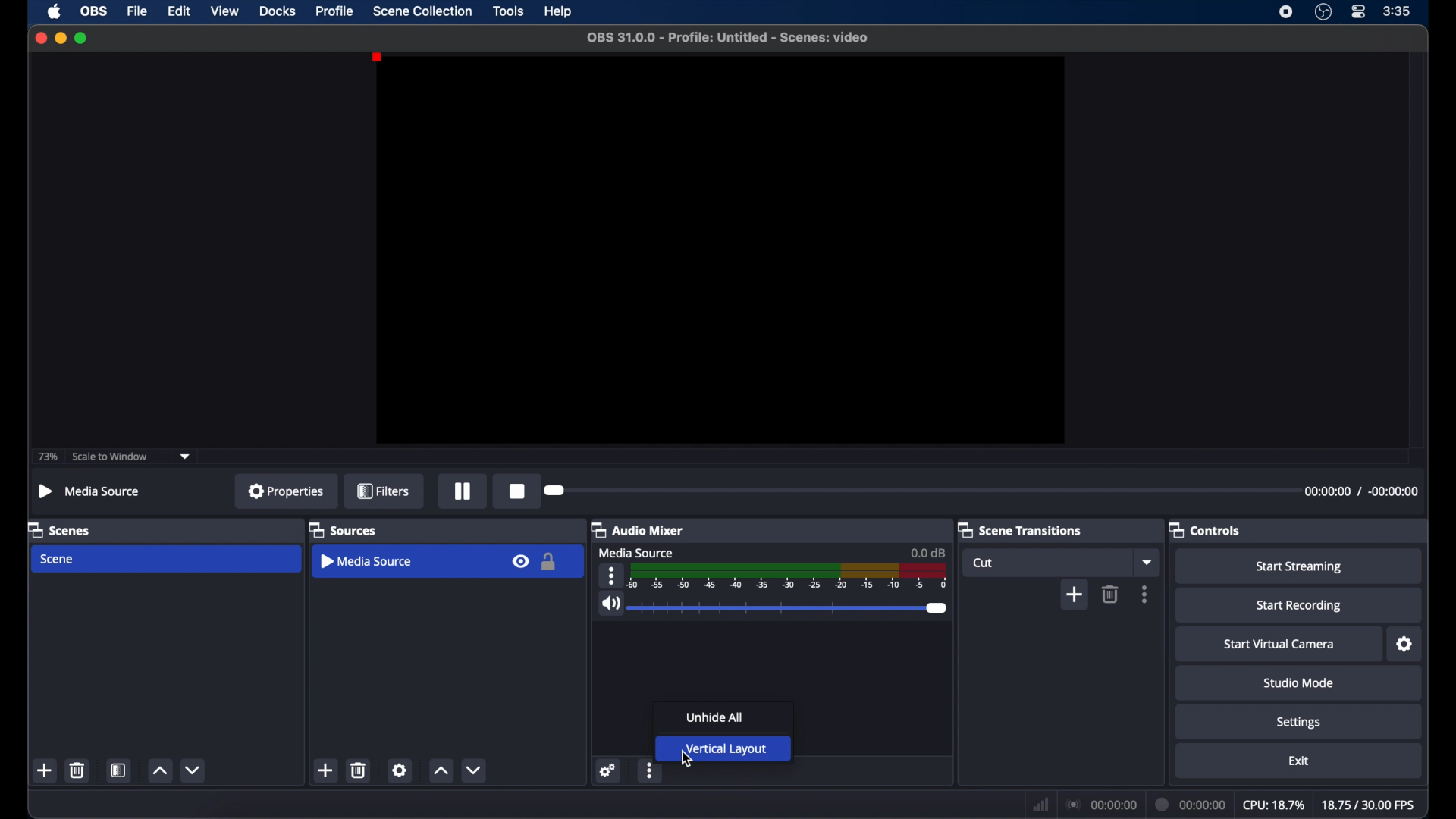 The image size is (1456, 819). I want to click on time, so click(1397, 11).